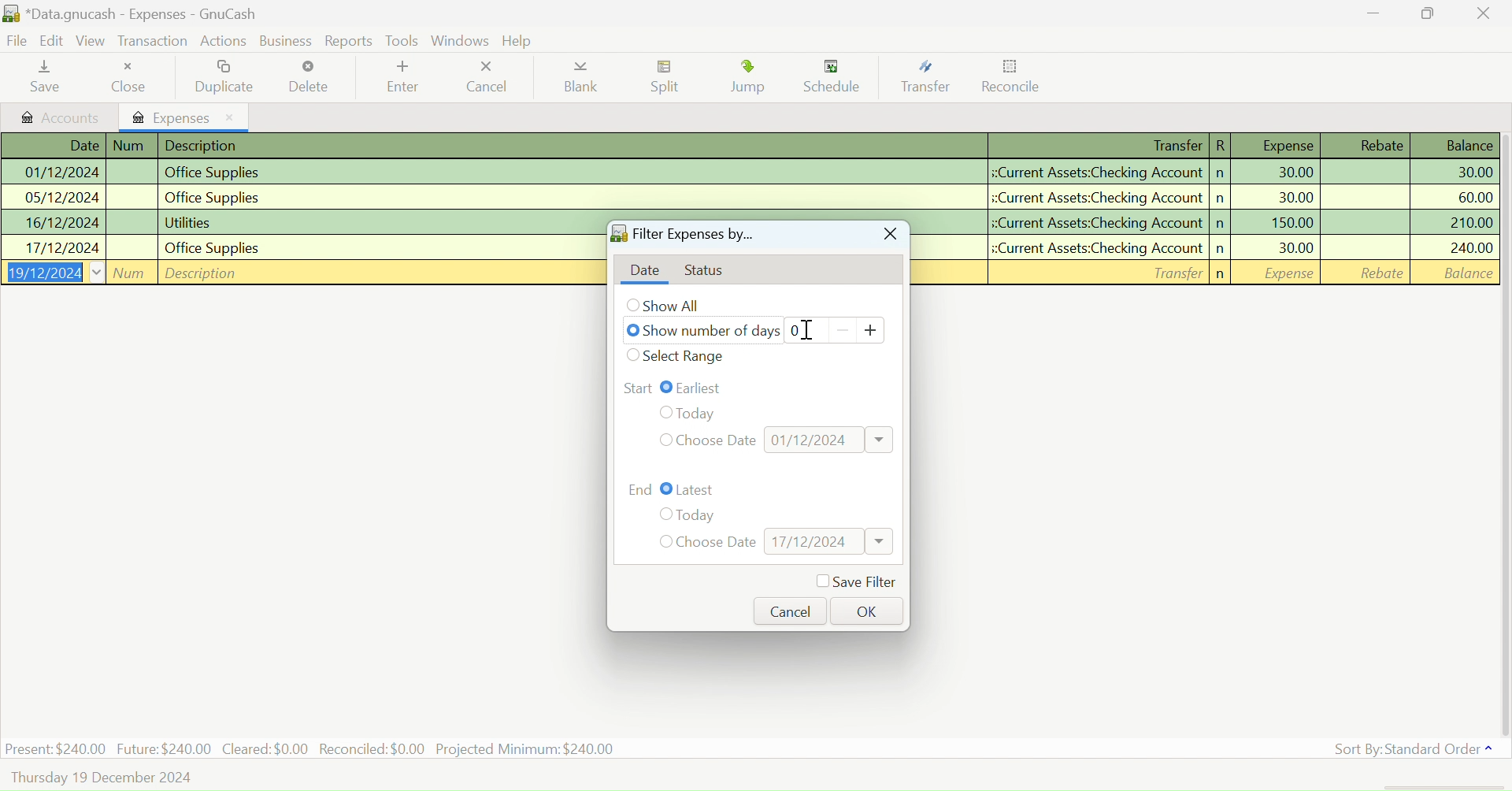 The image size is (1512, 791). Describe the element at coordinates (520, 41) in the screenshot. I see `Help` at that location.